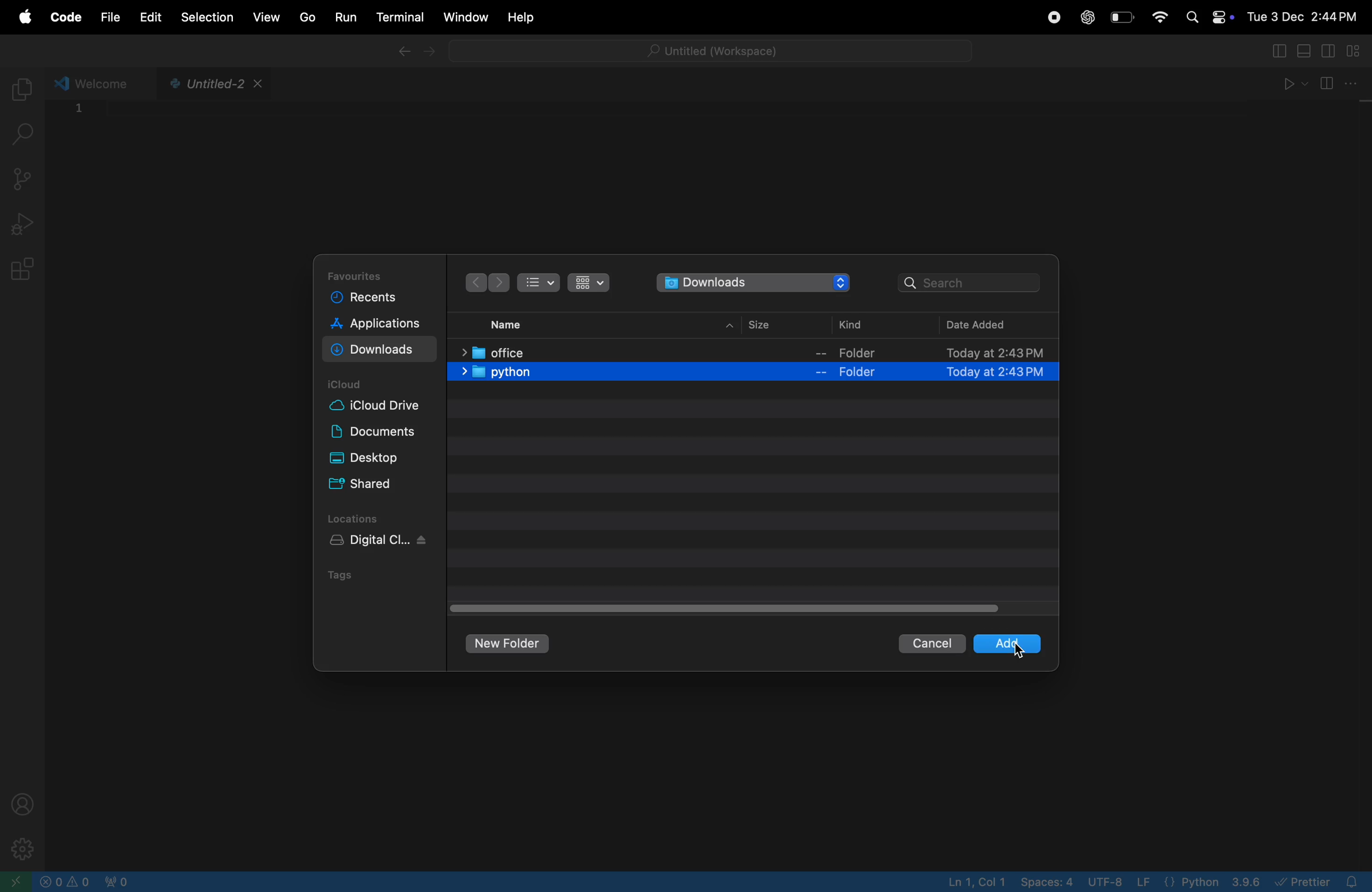 This screenshot has width=1372, height=892. I want to click on python, so click(493, 374).